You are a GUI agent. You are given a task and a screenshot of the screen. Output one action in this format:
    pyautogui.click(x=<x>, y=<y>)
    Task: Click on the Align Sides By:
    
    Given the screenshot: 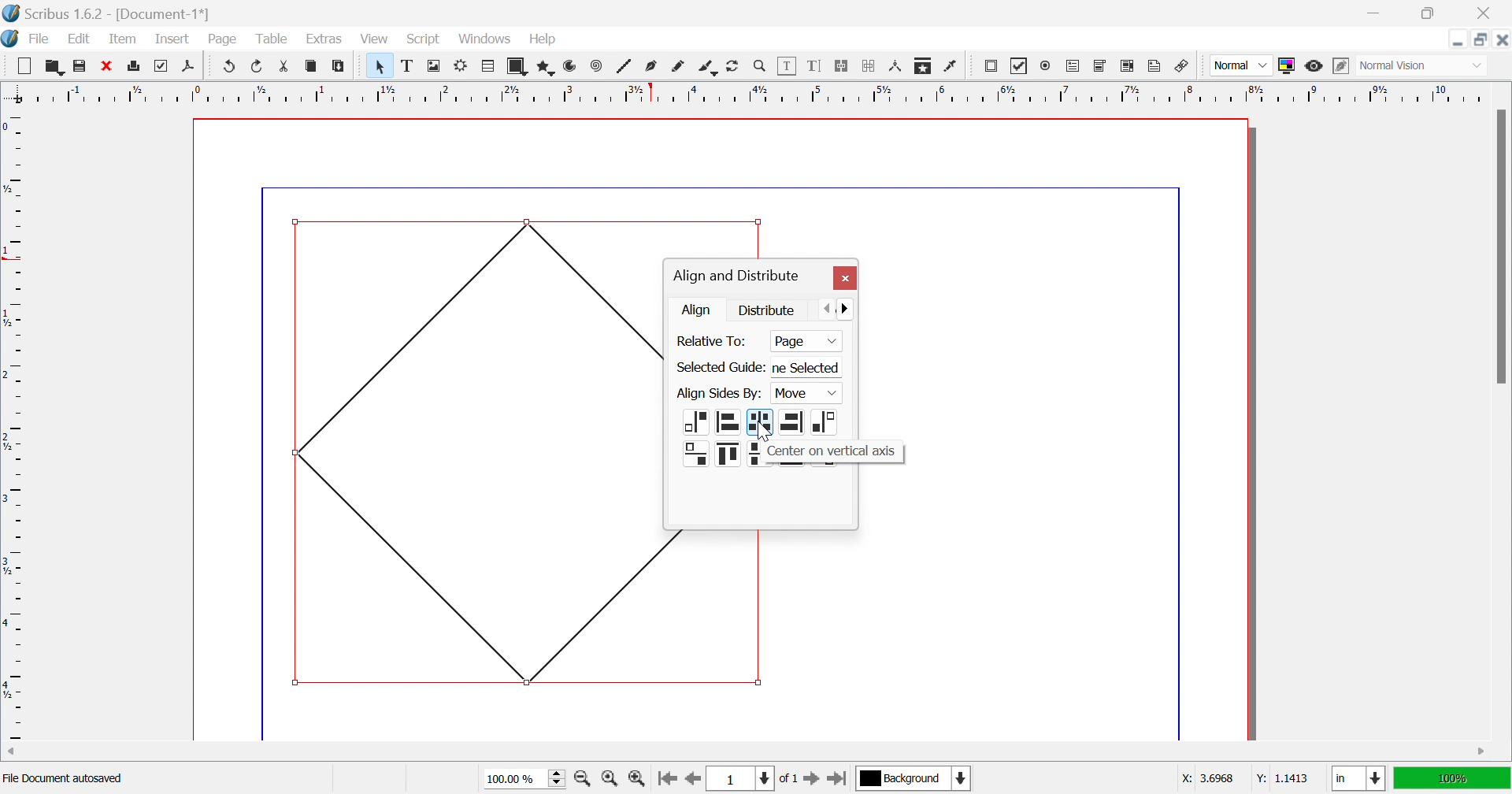 What is the action you would take?
    pyautogui.click(x=719, y=394)
    